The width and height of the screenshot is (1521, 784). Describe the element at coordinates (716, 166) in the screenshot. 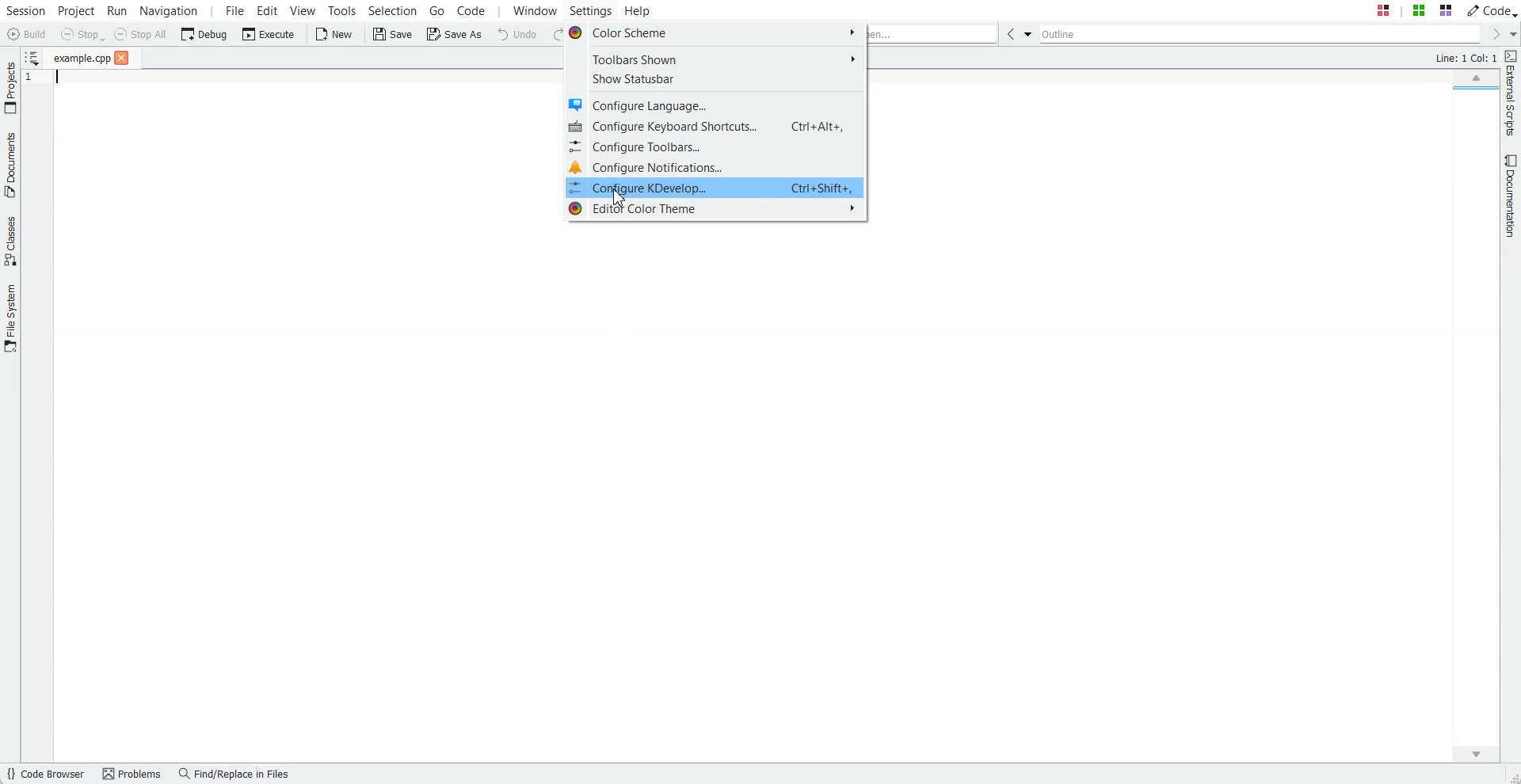

I see `Configure Notifications` at that location.